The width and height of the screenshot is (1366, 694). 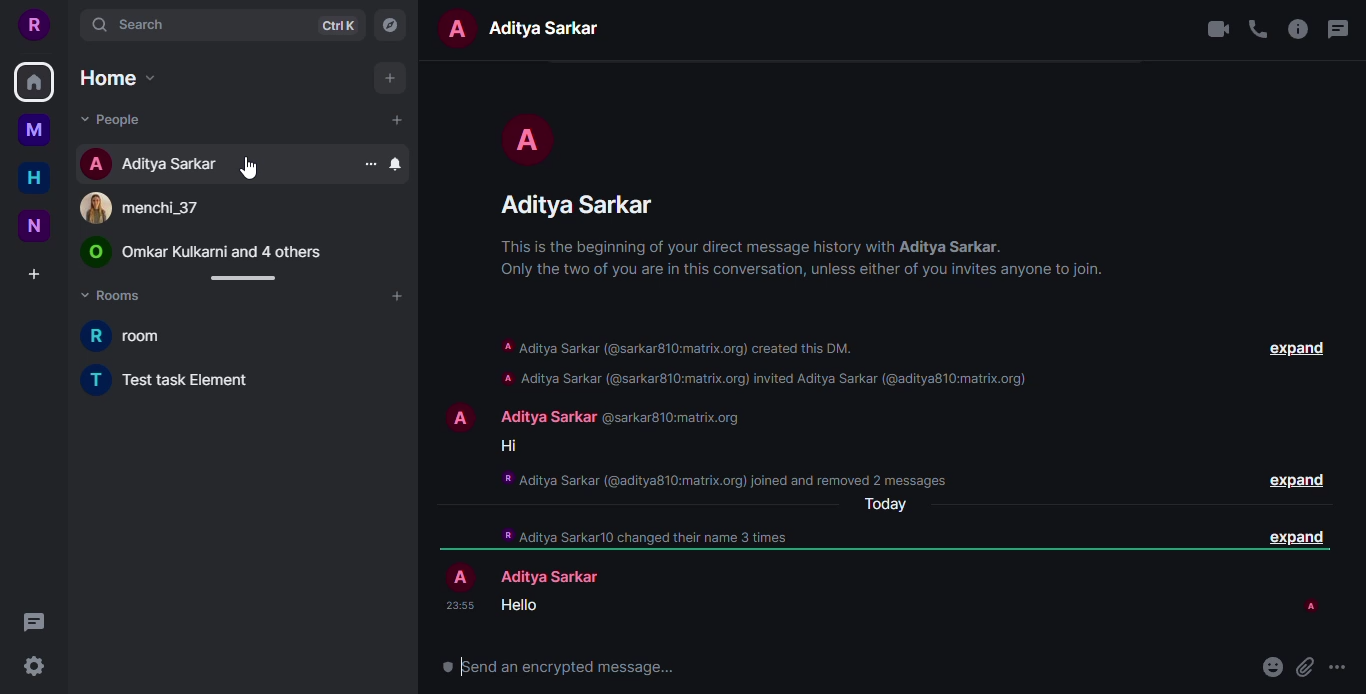 I want to click on home, so click(x=31, y=89).